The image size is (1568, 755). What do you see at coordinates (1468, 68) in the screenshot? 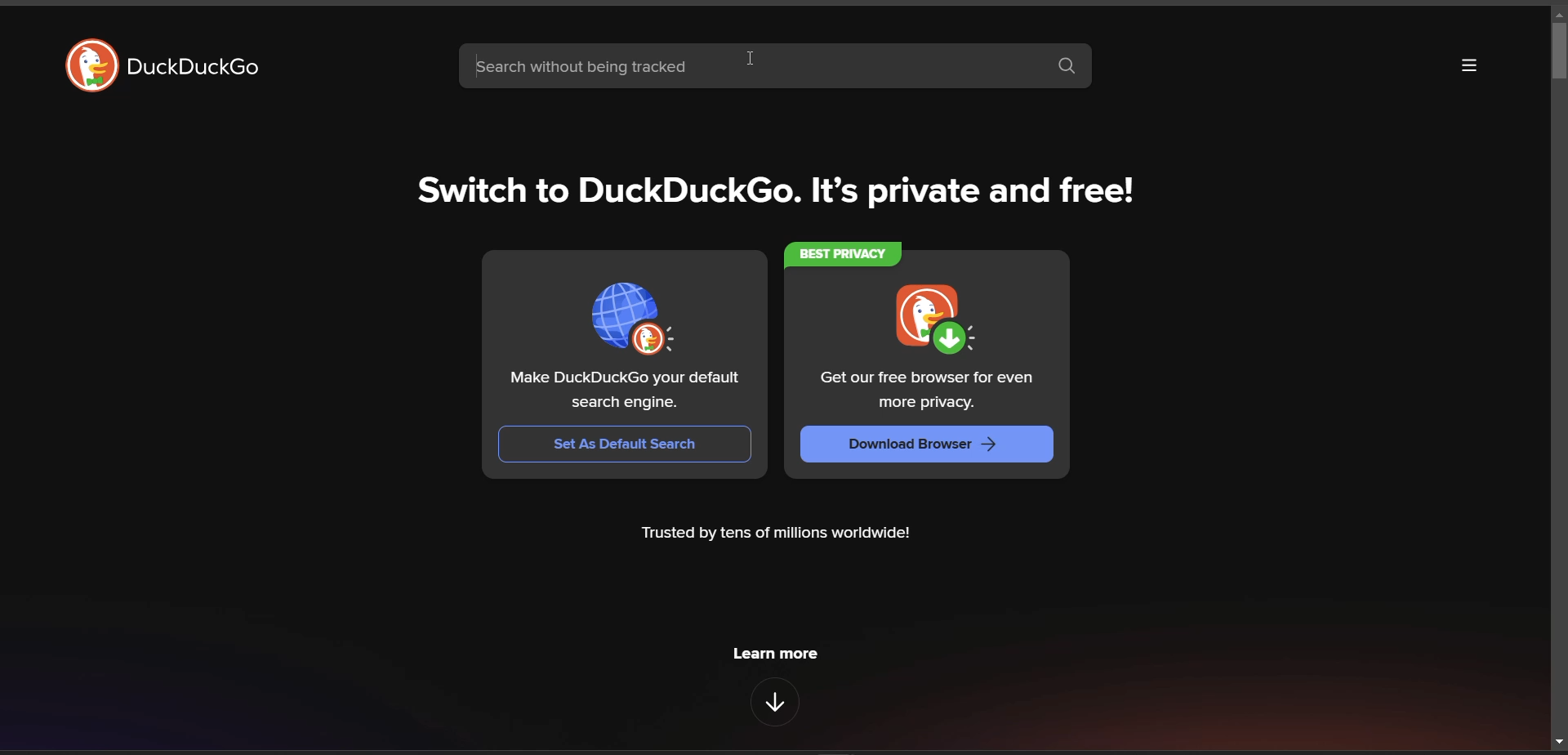
I see `more options` at bounding box center [1468, 68].